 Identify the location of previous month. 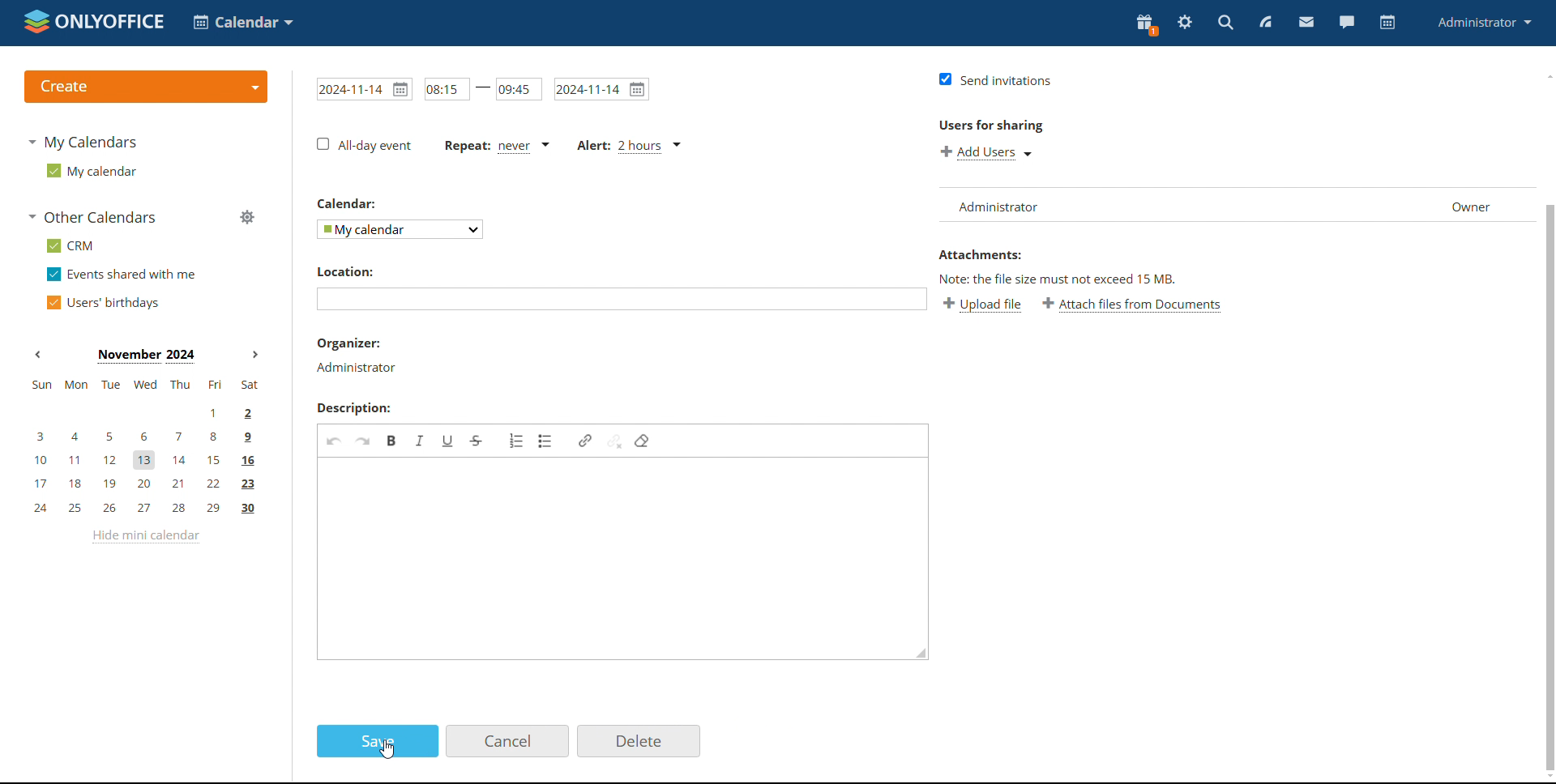
(38, 354).